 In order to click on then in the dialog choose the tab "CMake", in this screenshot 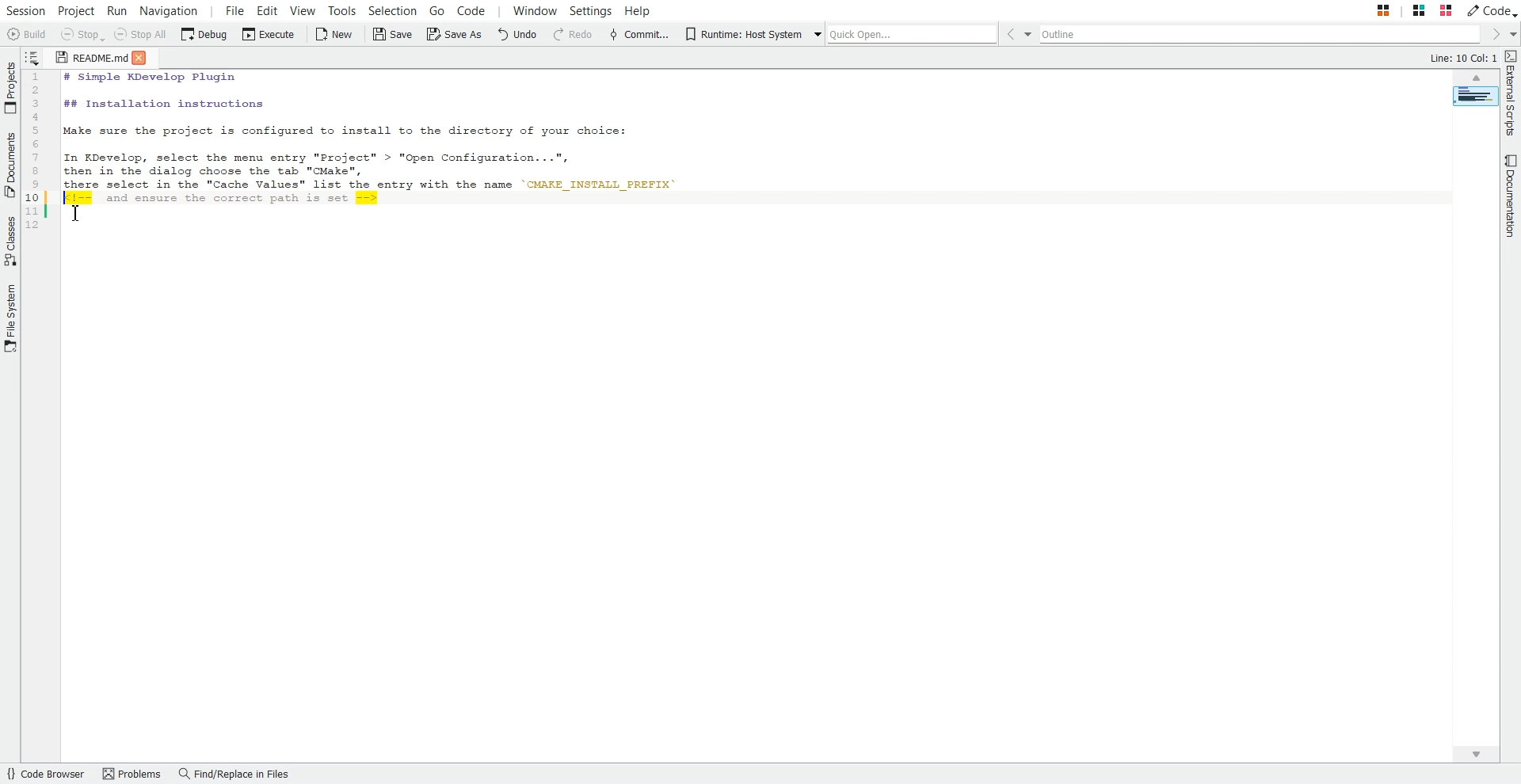, I will do `click(223, 171)`.